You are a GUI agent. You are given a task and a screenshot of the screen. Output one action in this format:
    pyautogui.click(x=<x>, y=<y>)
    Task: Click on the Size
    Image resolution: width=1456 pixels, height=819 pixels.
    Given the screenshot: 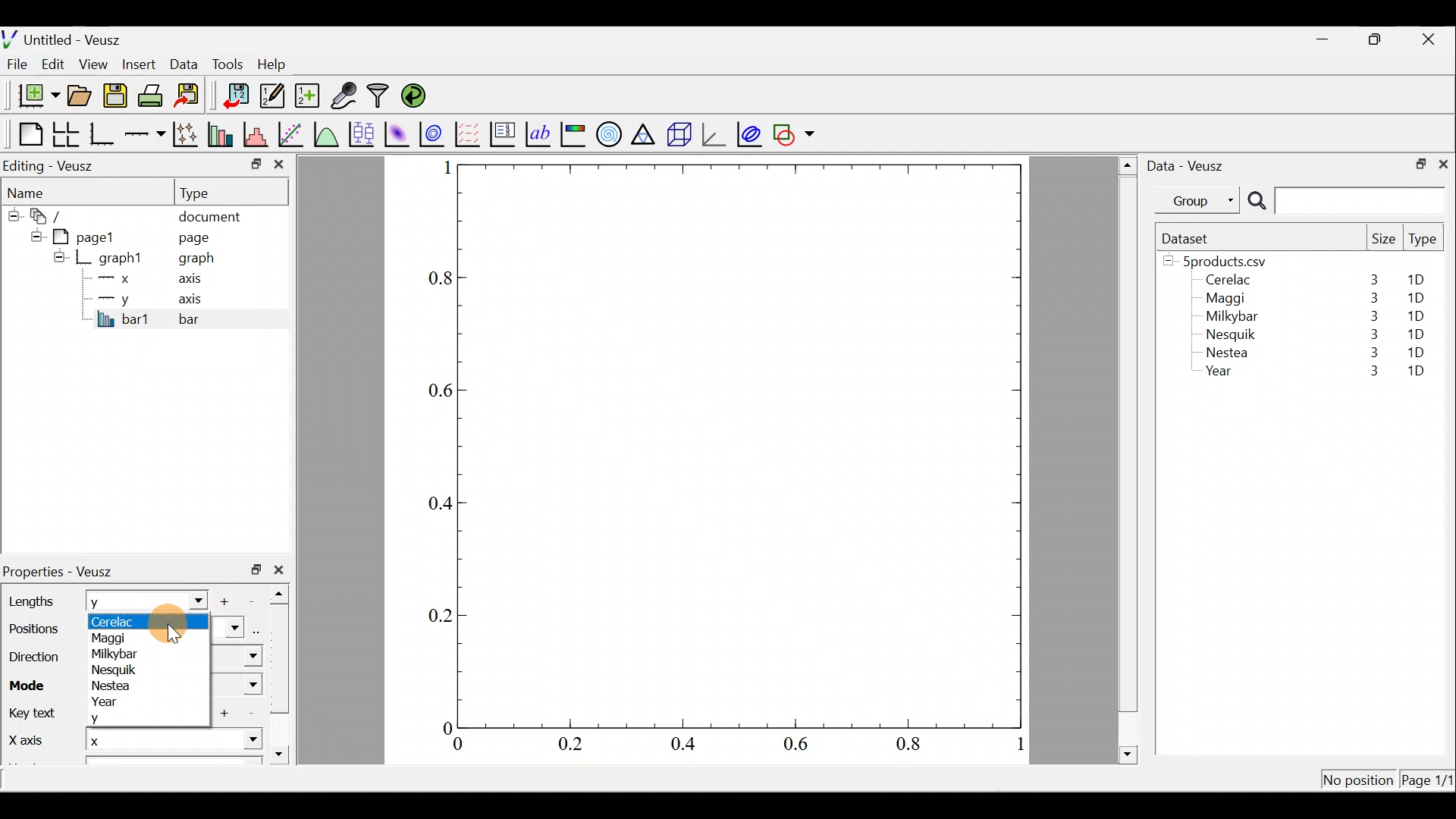 What is the action you would take?
    pyautogui.click(x=1383, y=240)
    